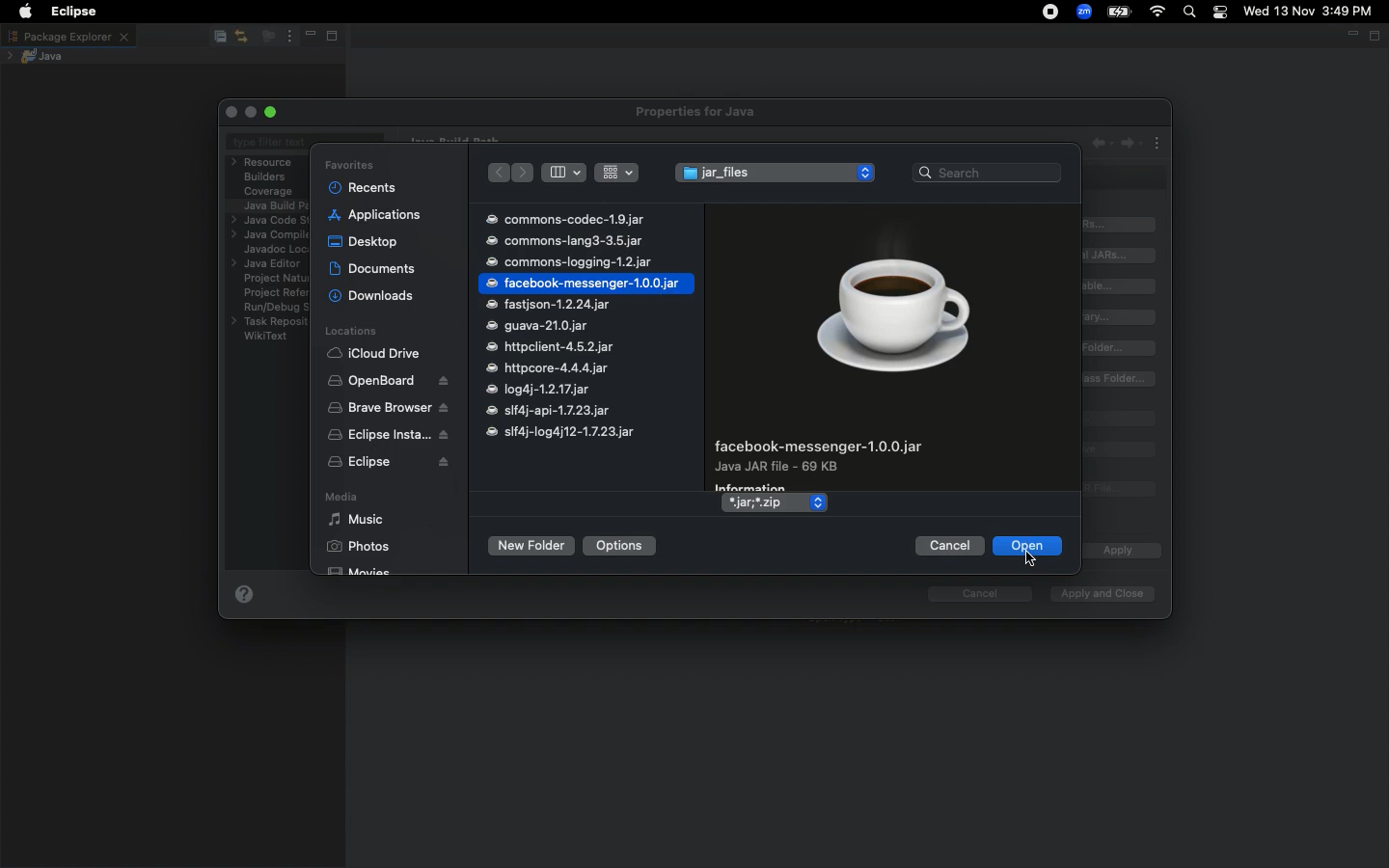 Image resolution: width=1389 pixels, height=868 pixels. I want to click on Java build path, so click(276, 204).